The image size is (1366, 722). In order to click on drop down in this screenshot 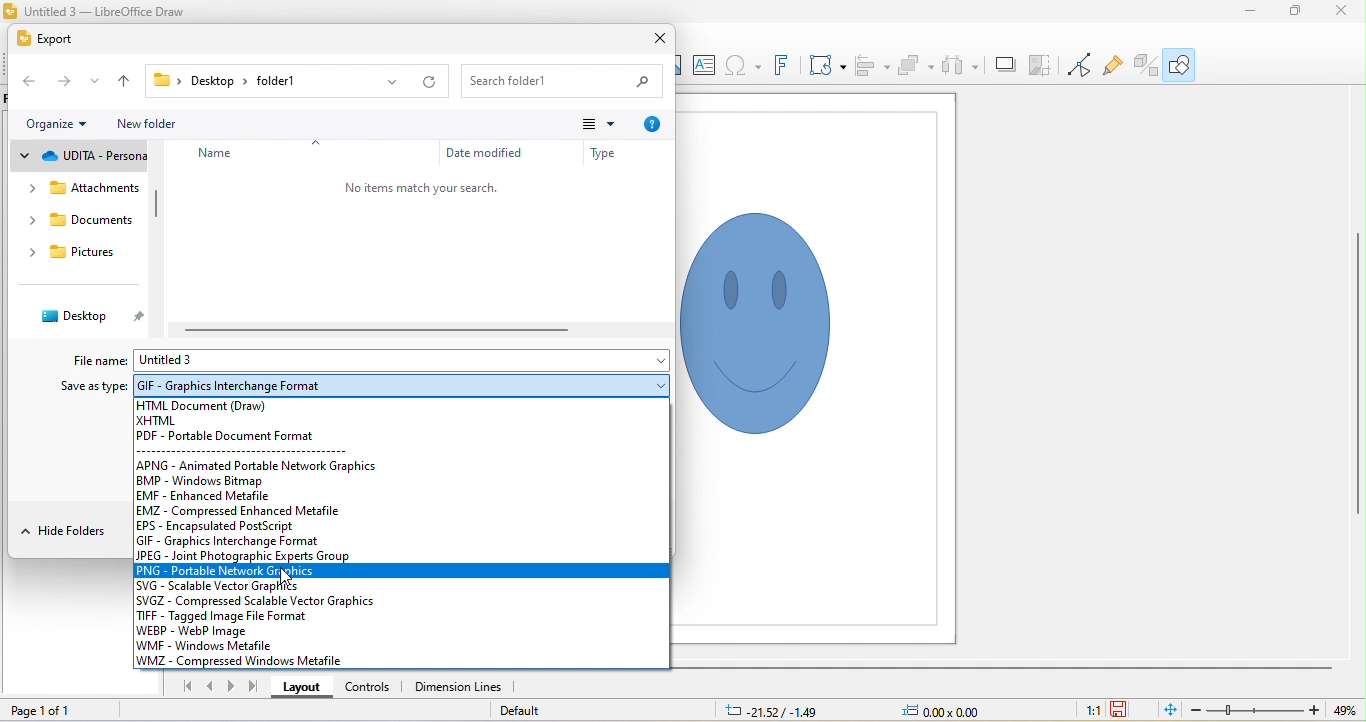, I will do `click(25, 532)`.